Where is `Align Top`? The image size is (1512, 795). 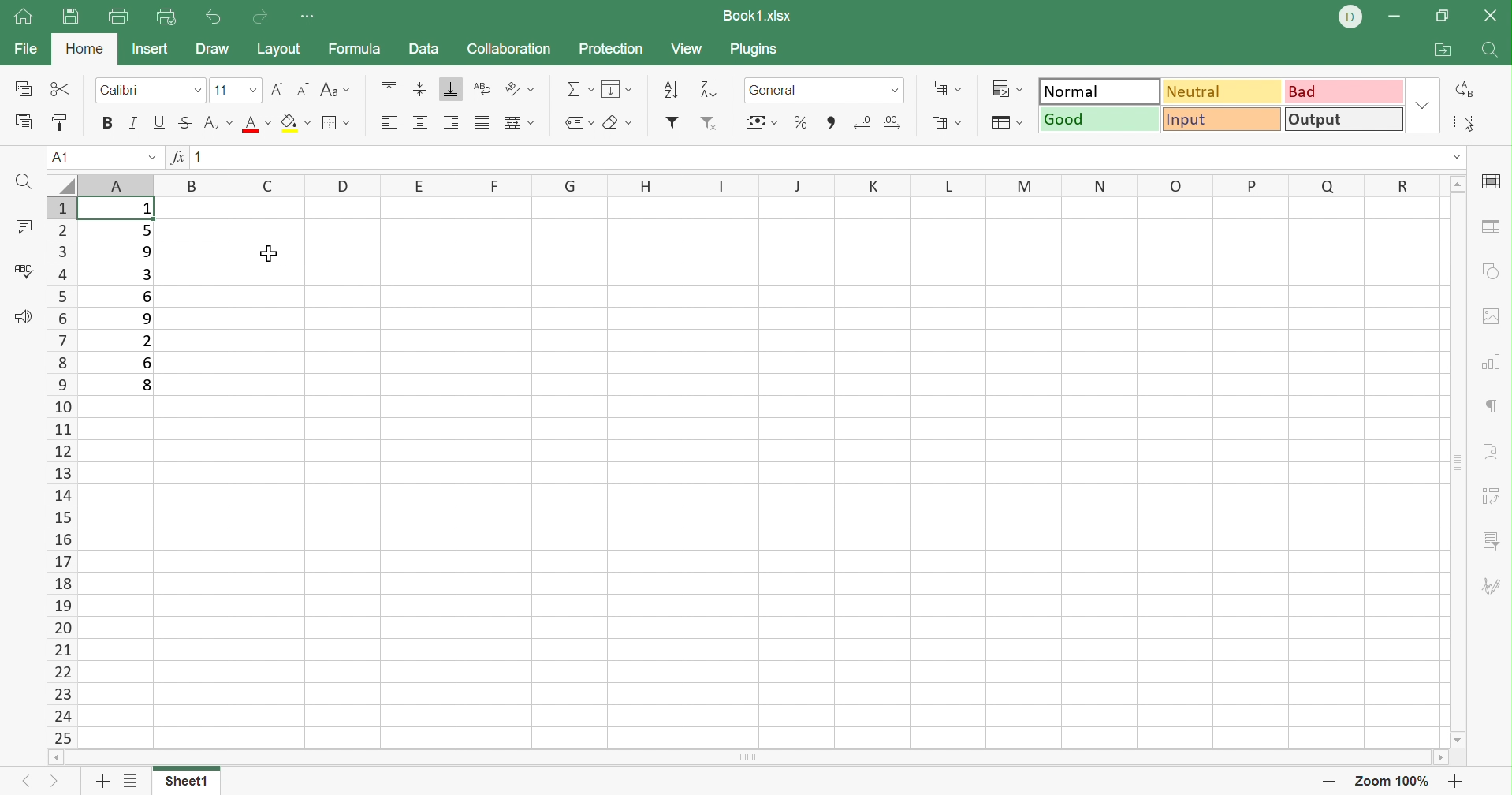 Align Top is located at coordinates (391, 88).